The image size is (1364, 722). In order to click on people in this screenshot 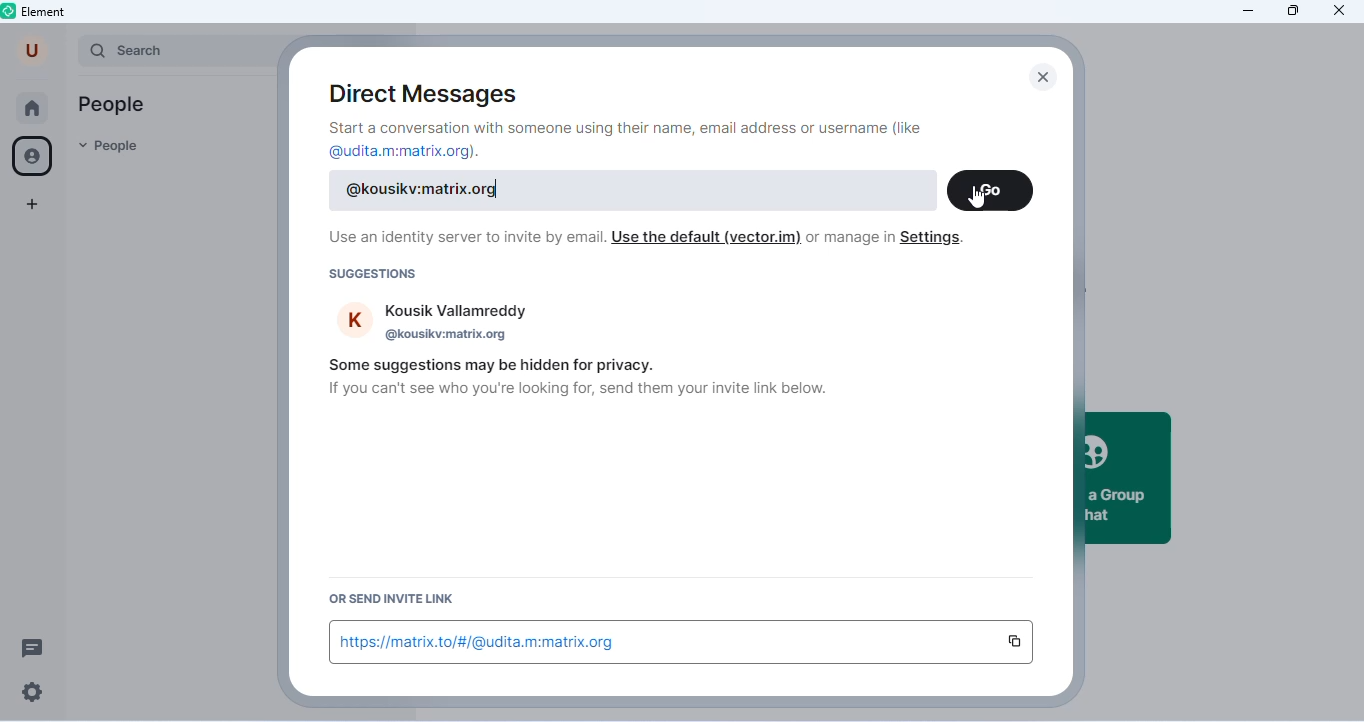, I will do `click(110, 148)`.